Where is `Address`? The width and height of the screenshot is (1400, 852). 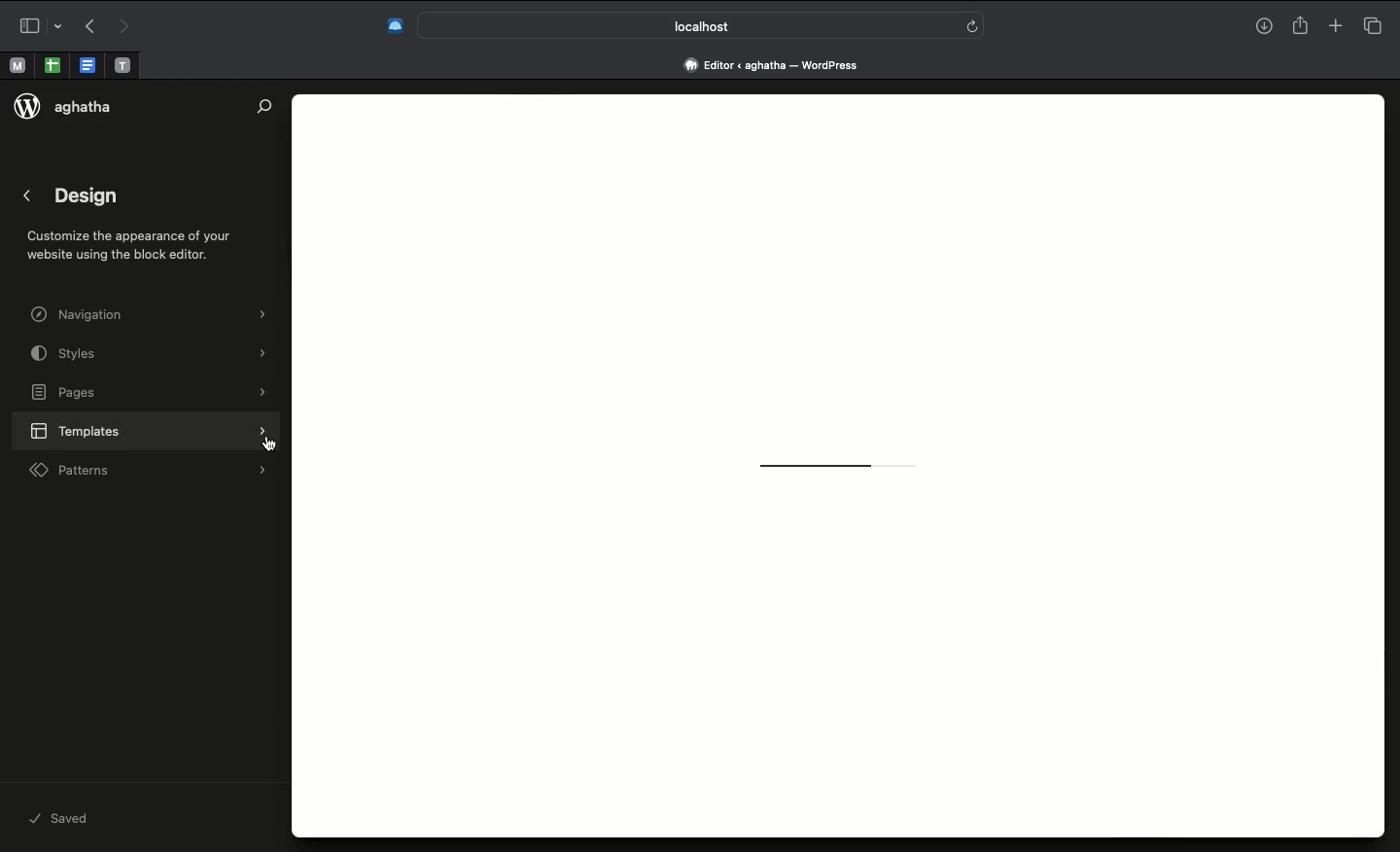
Address is located at coordinates (768, 66).